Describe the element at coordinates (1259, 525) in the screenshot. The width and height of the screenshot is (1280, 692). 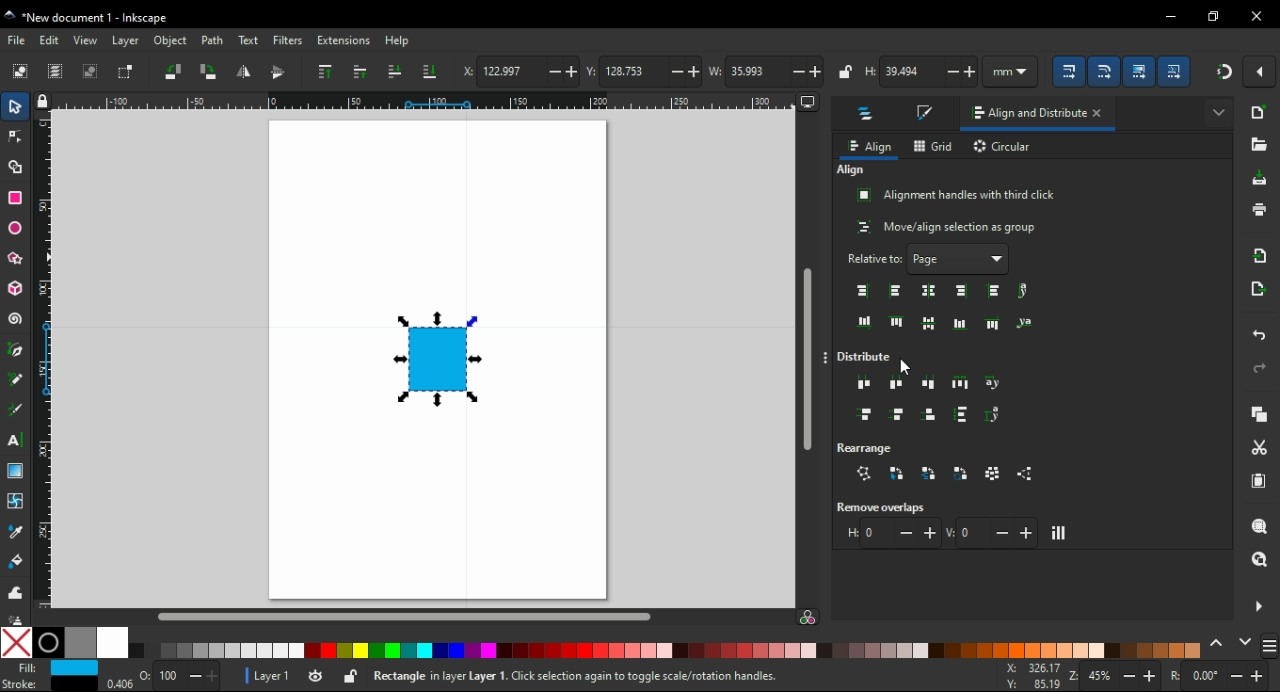
I see `zoom selection` at that location.